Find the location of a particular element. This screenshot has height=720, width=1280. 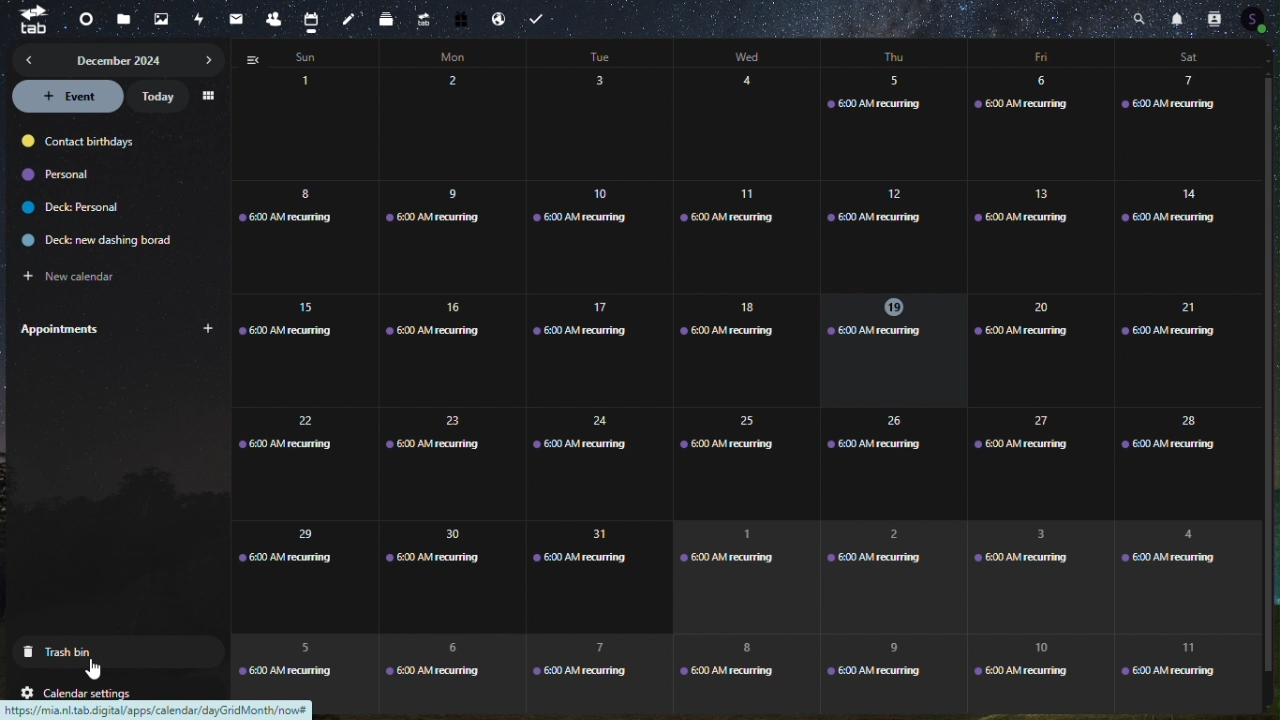

Appointments is located at coordinates (115, 329).